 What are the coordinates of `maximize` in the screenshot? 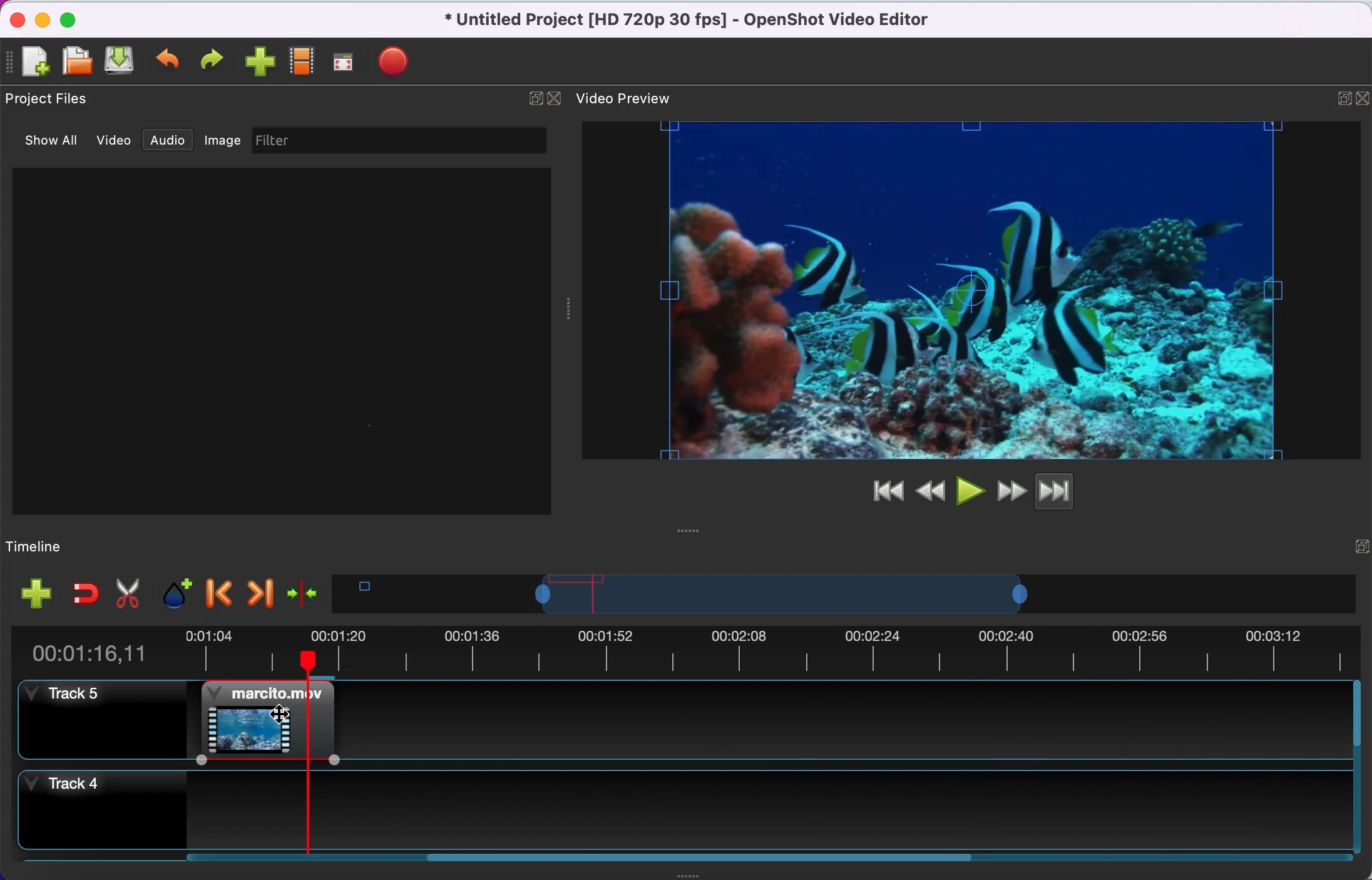 It's located at (1339, 95).